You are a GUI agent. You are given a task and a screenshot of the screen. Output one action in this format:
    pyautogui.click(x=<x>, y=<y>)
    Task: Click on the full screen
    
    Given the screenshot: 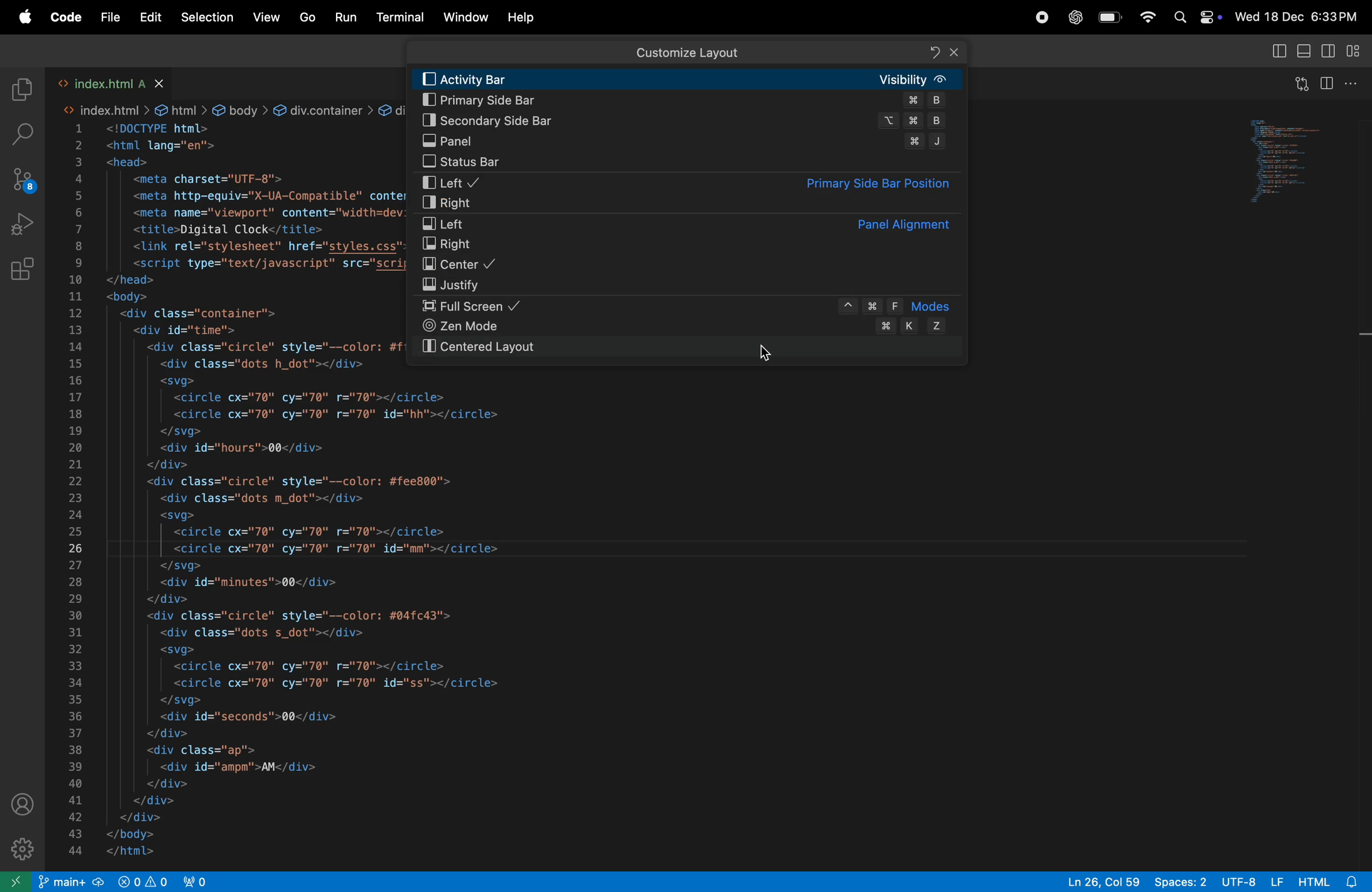 What is the action you would take?
    pyautogui.click(x=691, y=307)
    